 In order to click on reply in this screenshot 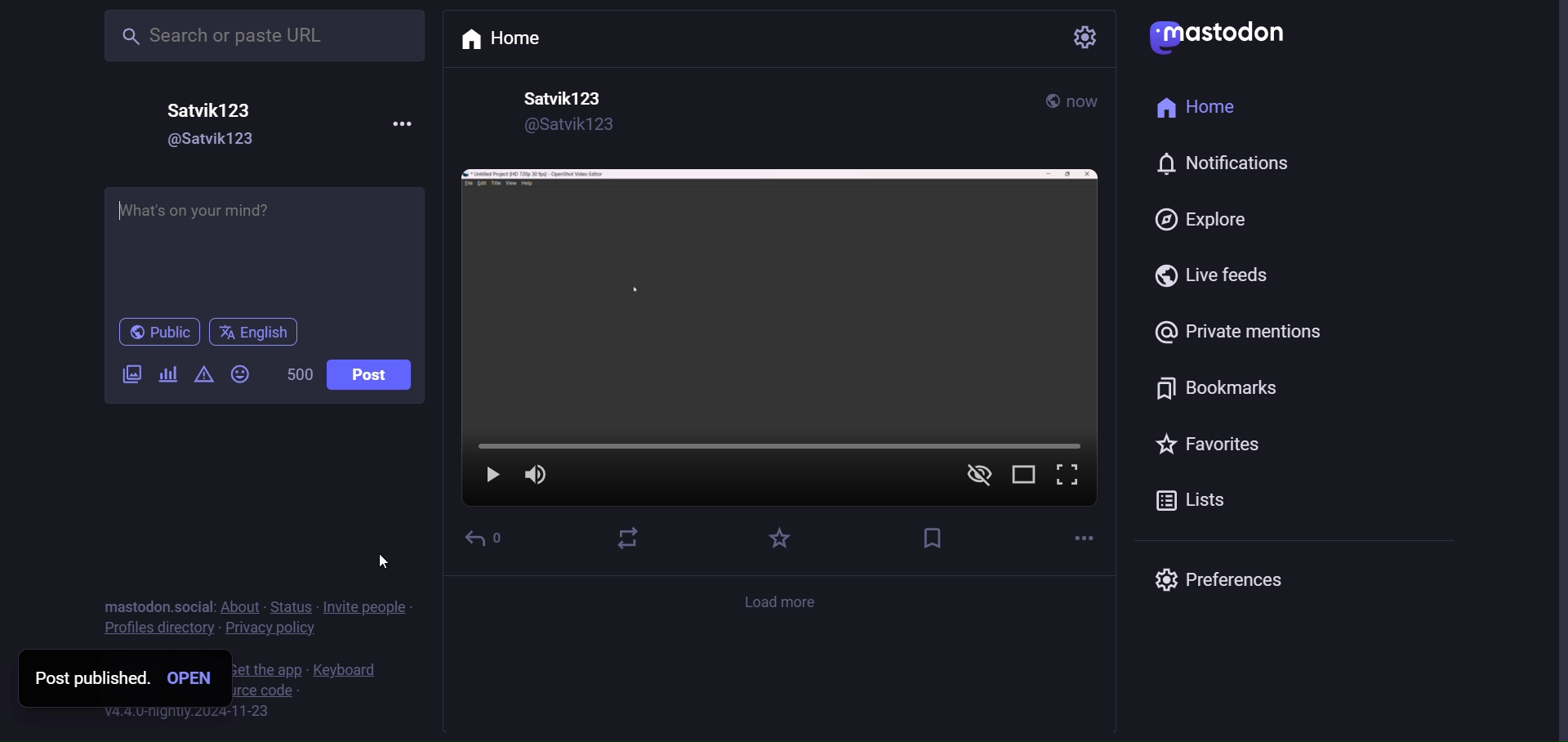, I will do `click(485, 536)`.